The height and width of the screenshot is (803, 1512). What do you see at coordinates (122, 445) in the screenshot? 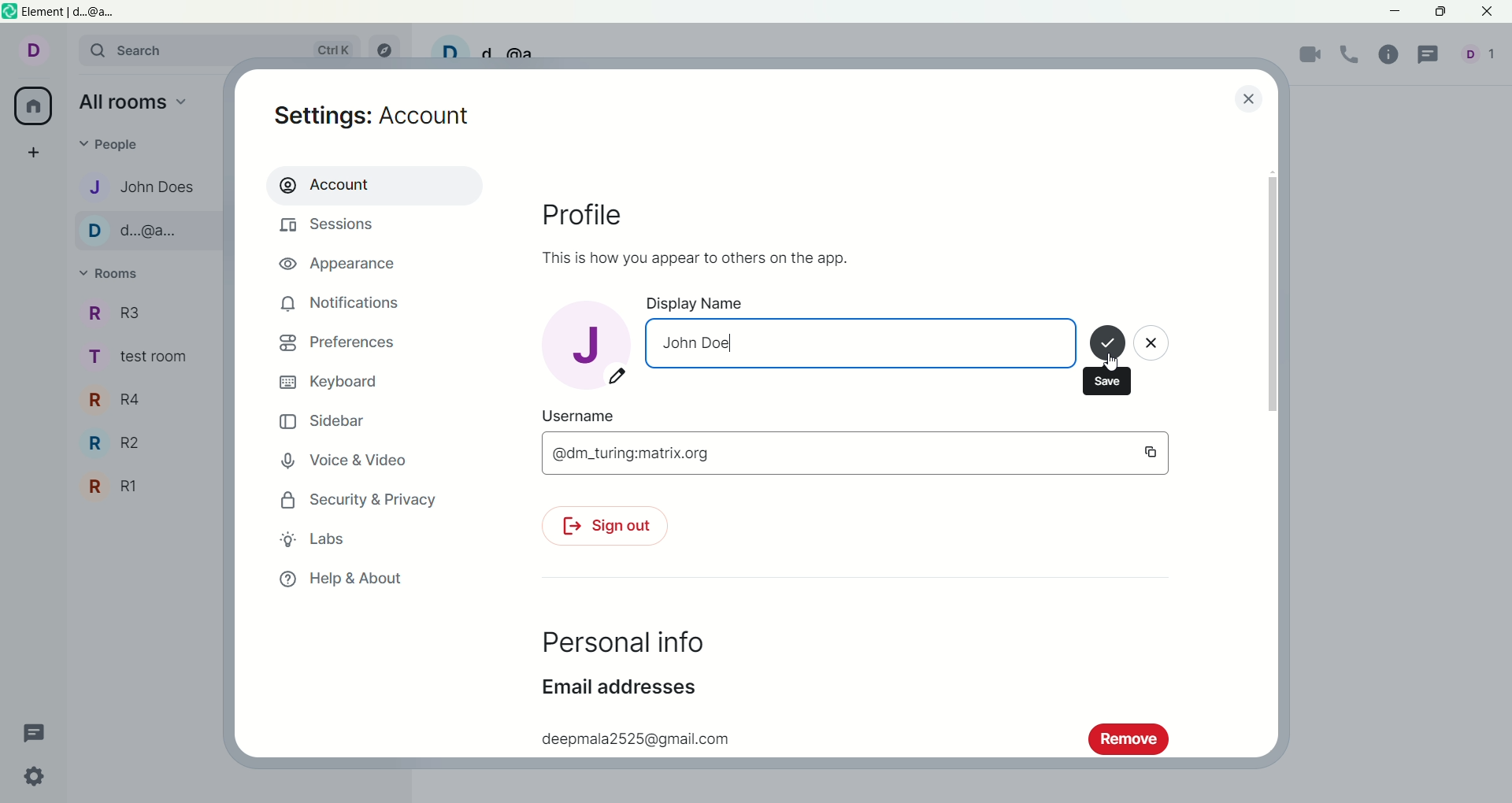
I see `R2` at bounding box center [122, 445].